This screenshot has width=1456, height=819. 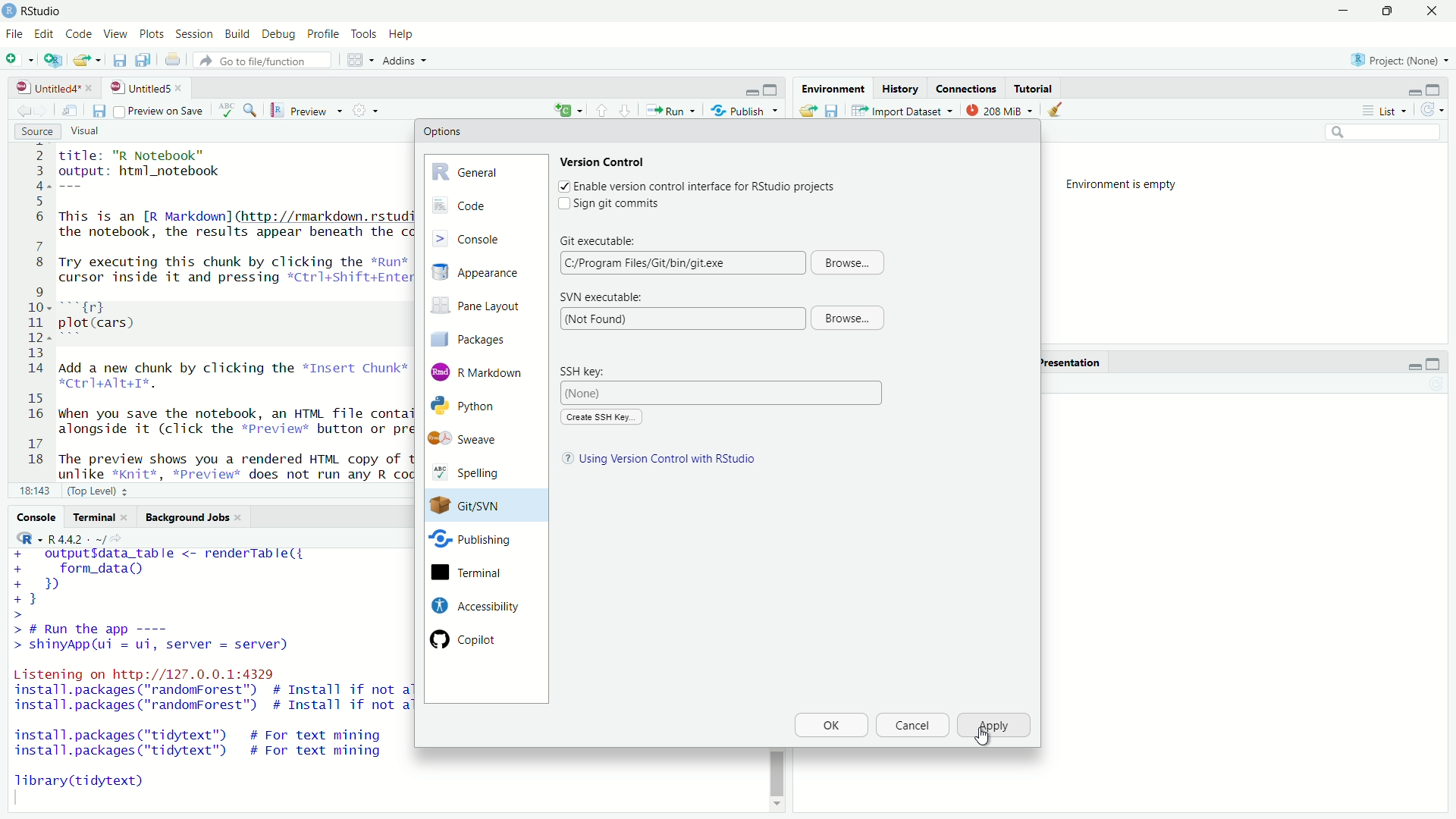 What do you see at coordinates (670, 460) in the screenshot?
I see `using Version Control with RStudio` at bounding box center [670, 460].